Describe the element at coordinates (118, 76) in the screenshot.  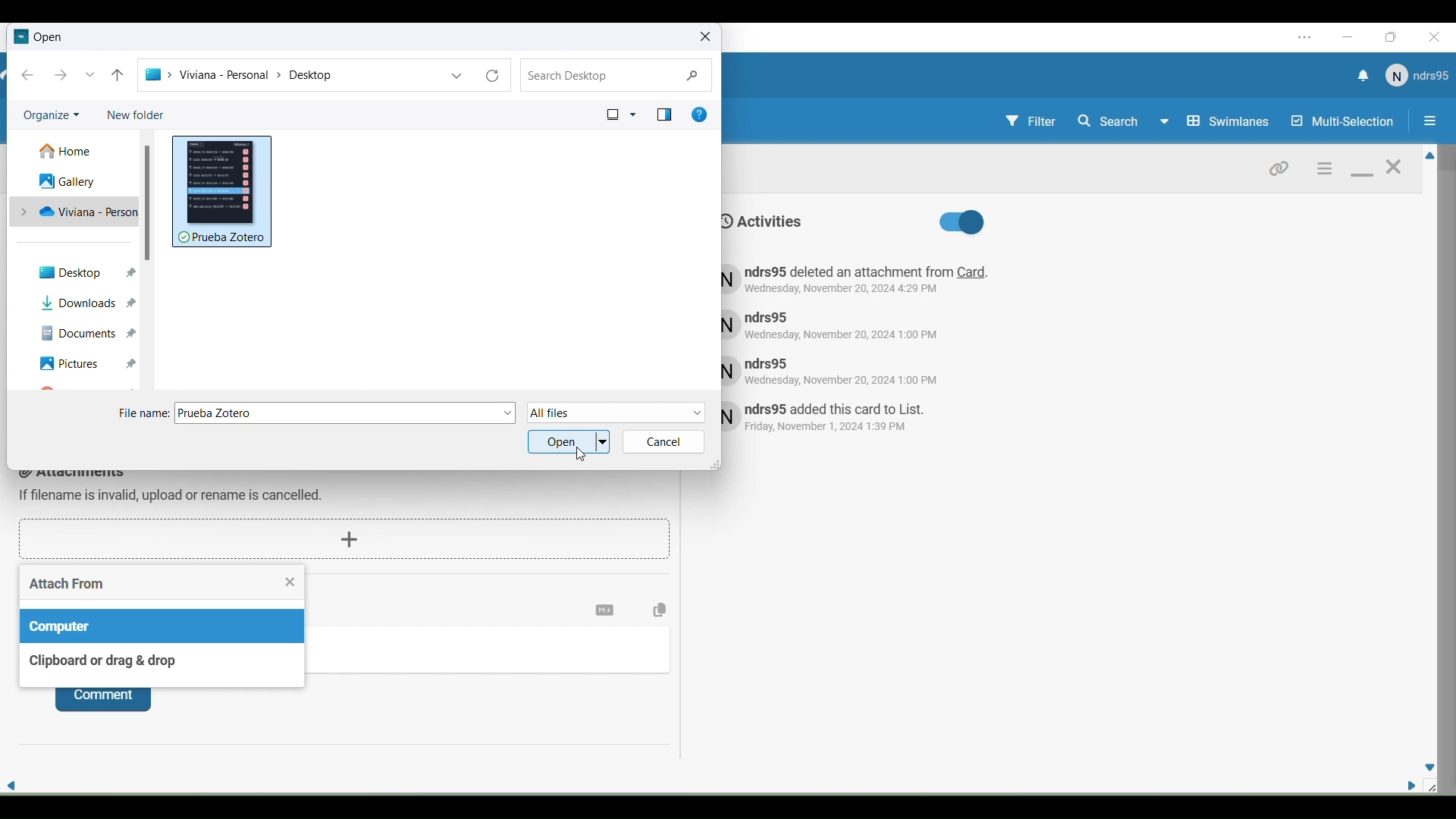
I see `Go to previous folder` at that location.